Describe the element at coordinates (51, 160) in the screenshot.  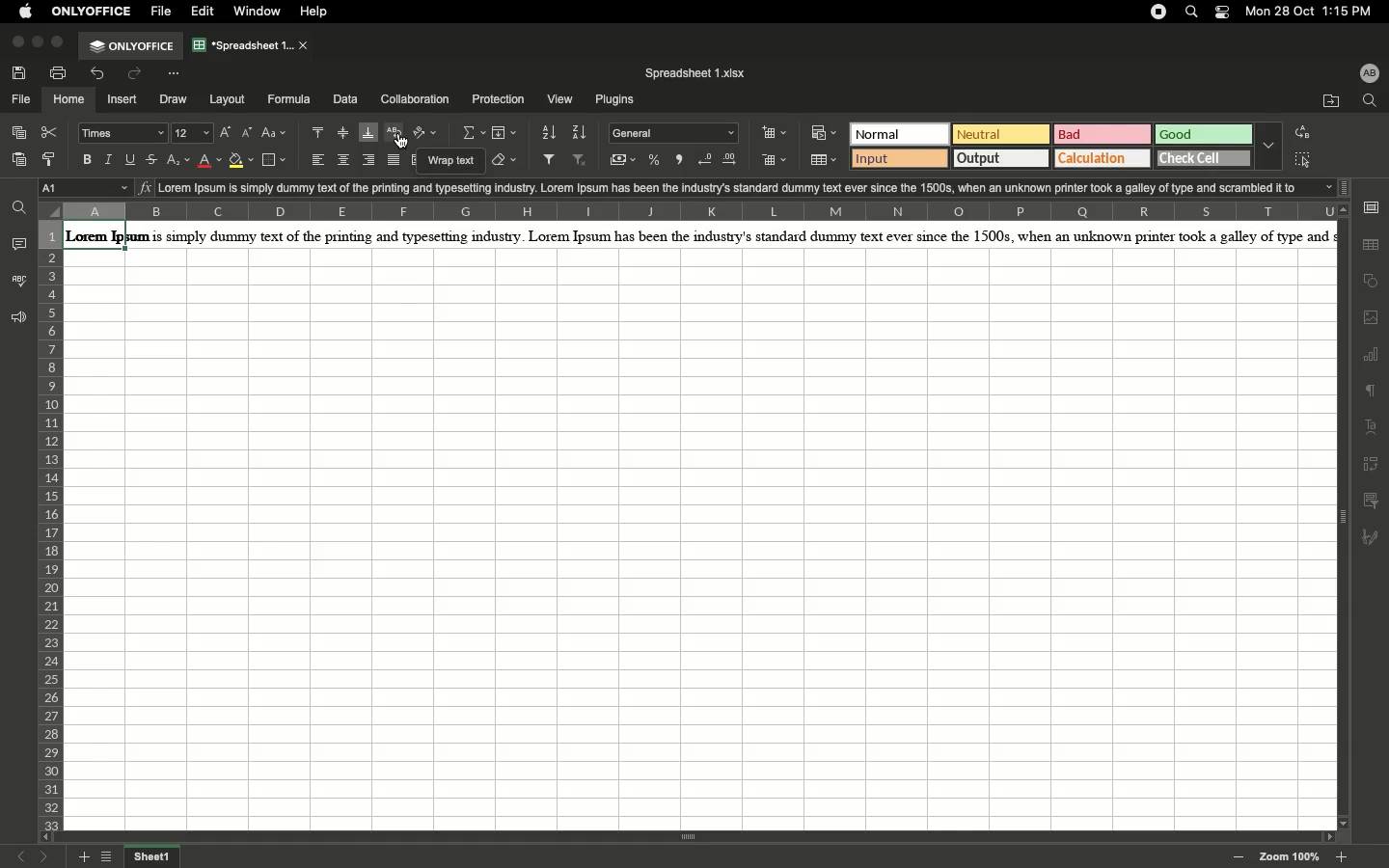
I see `Copy style` at that location.